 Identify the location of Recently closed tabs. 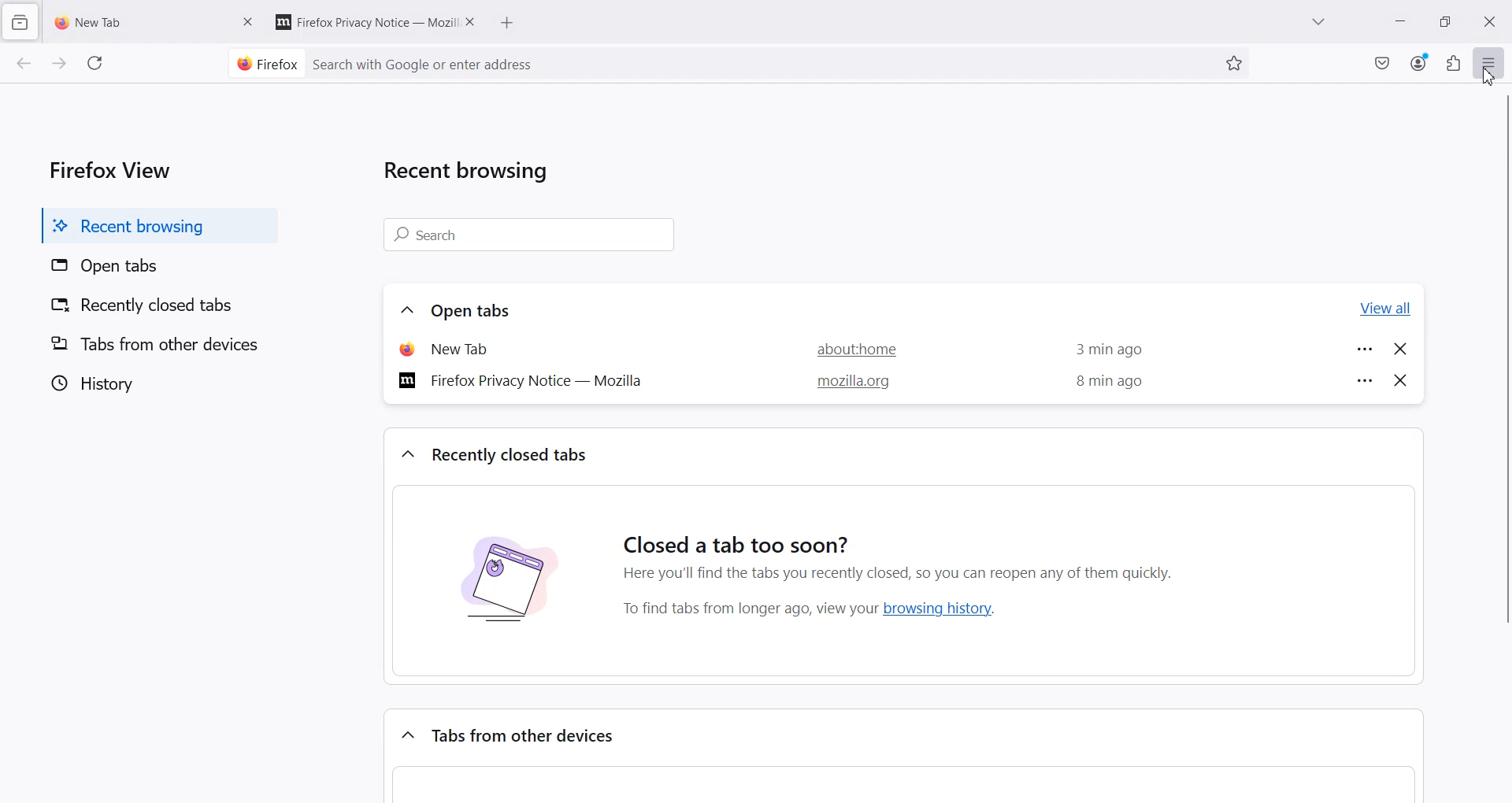
(154, 307).